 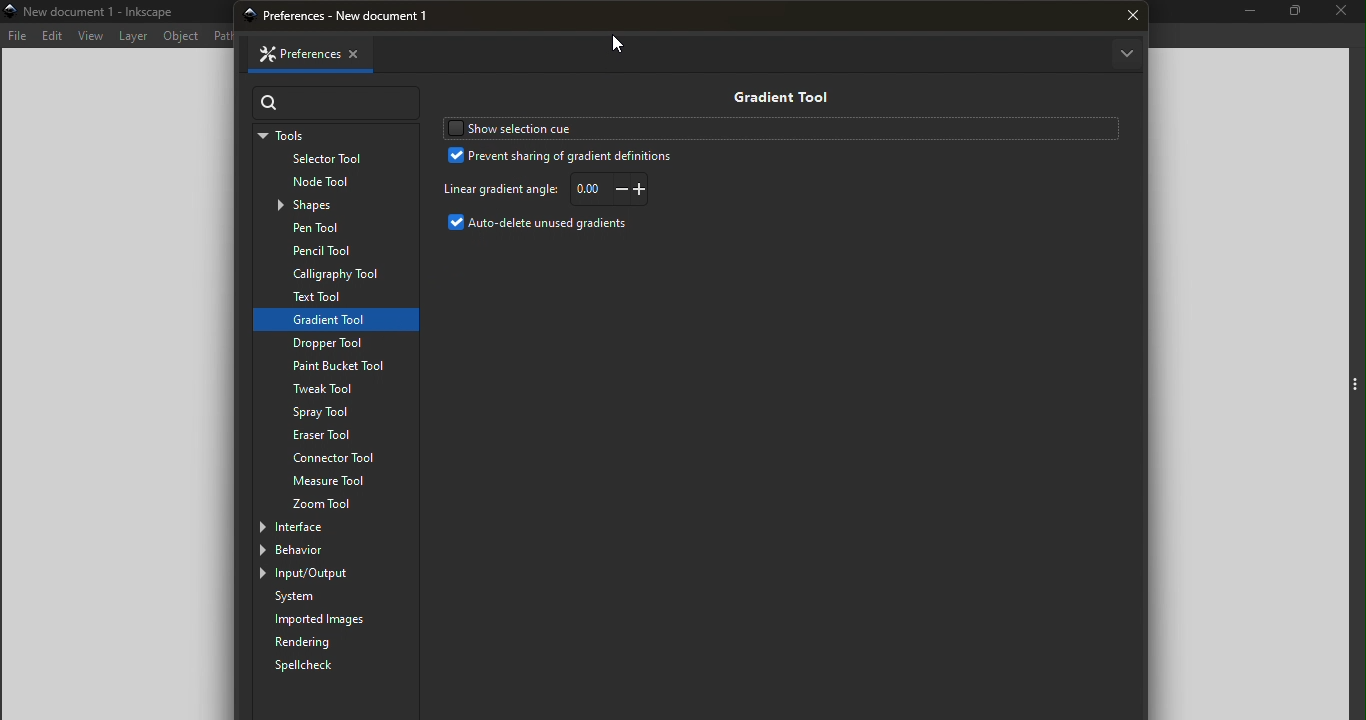 What do you see at coordinates (333, 136) in the screenshot?
I see `Tools` at bounding box center [333, 136].